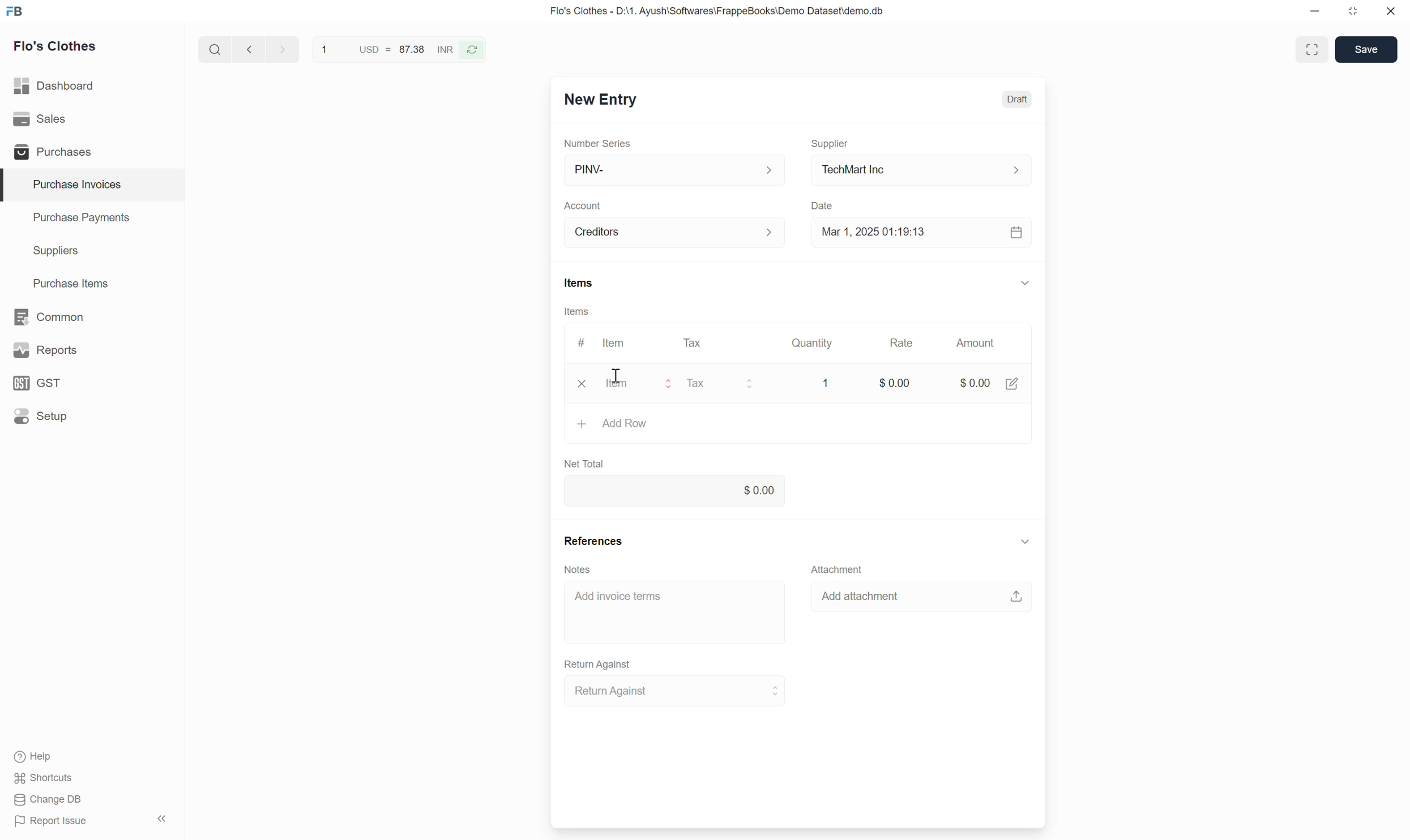 The height and width of the screenshot is (840, 1410). Describe the element at coordinates (973, 345) in the screenshot. I see `Amount` at that location.